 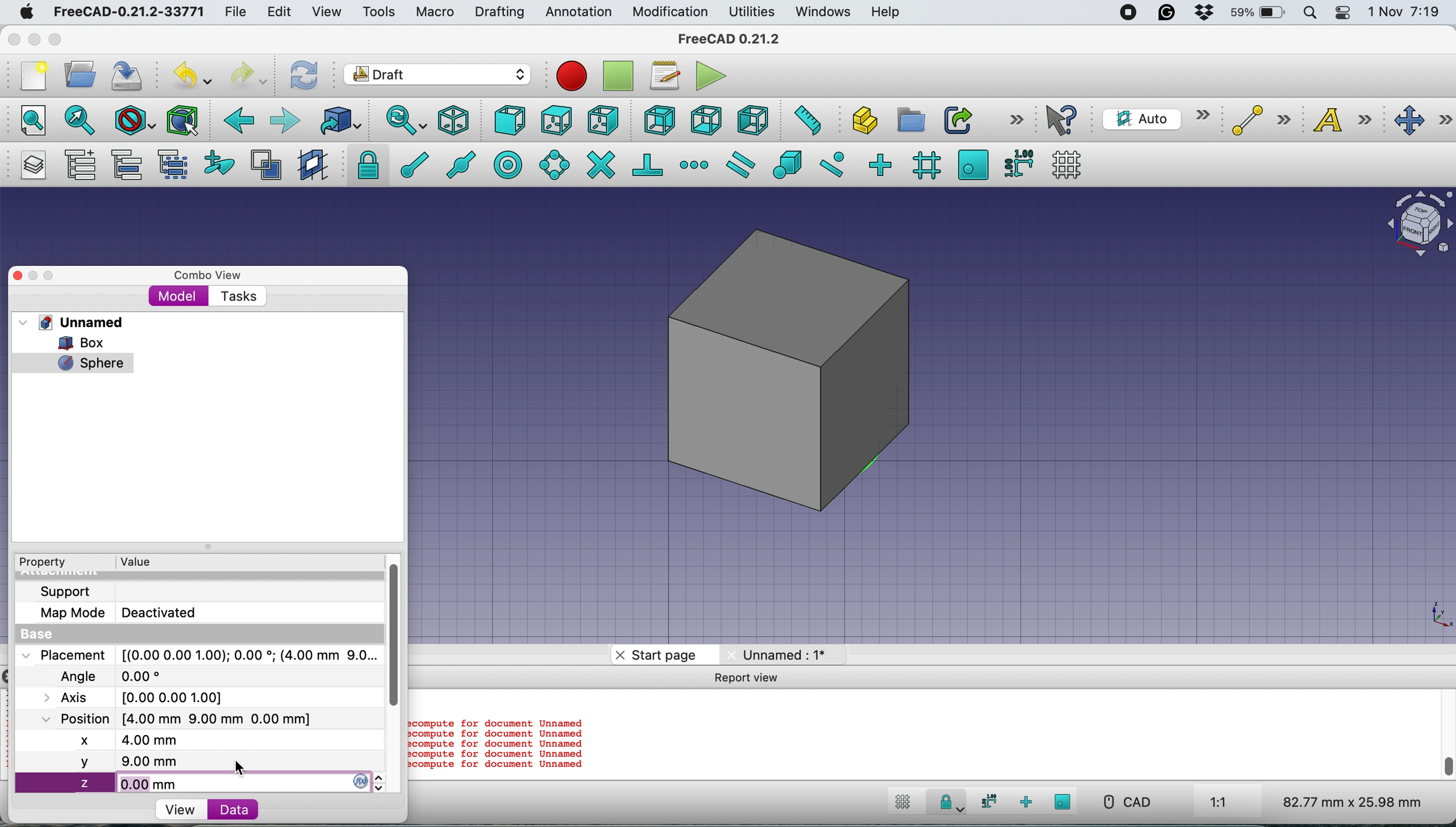 I want to click on unnamed, so click(x=792, y=653).